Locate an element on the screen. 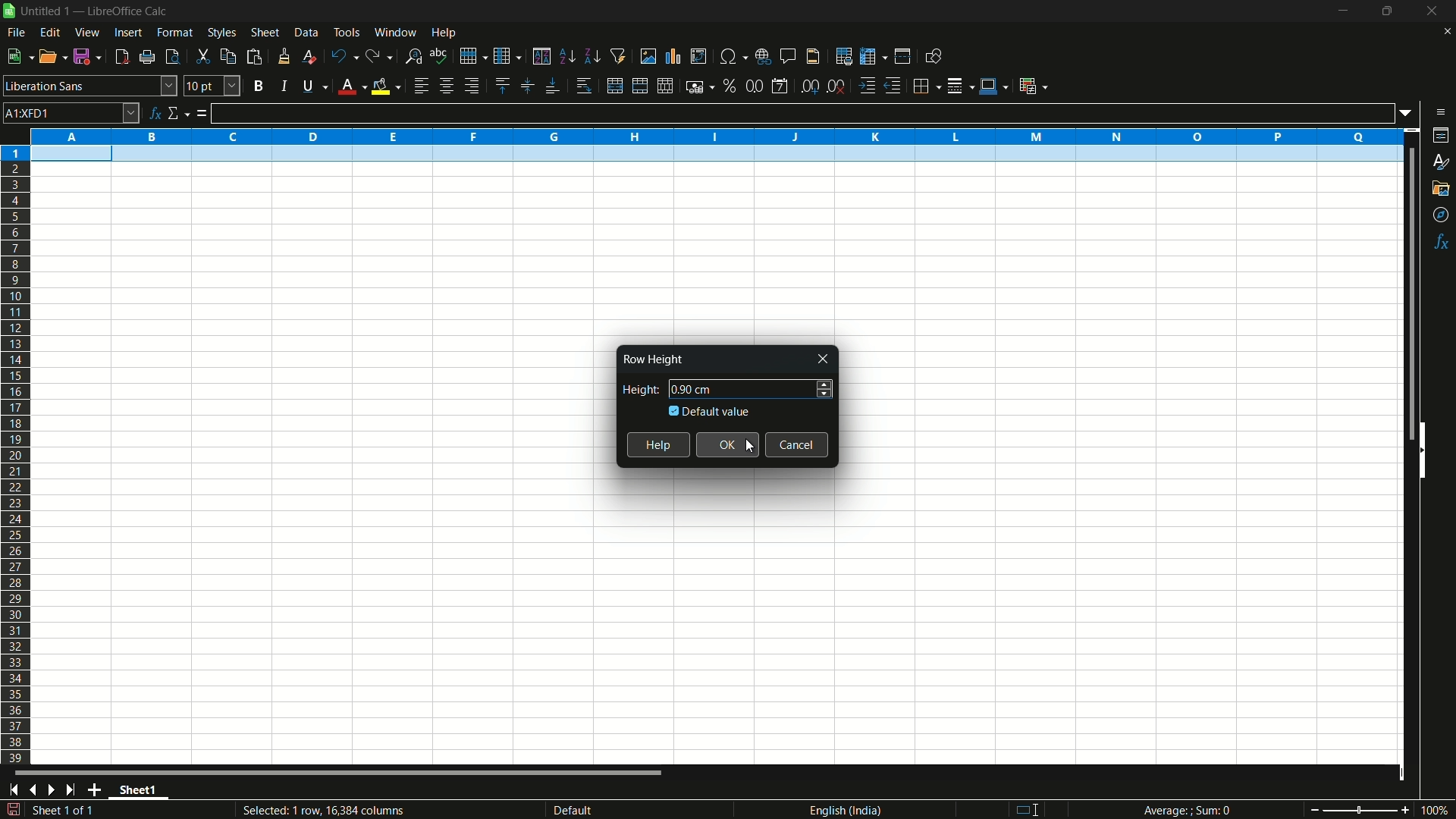  default value is located at coordinates (711, 411).